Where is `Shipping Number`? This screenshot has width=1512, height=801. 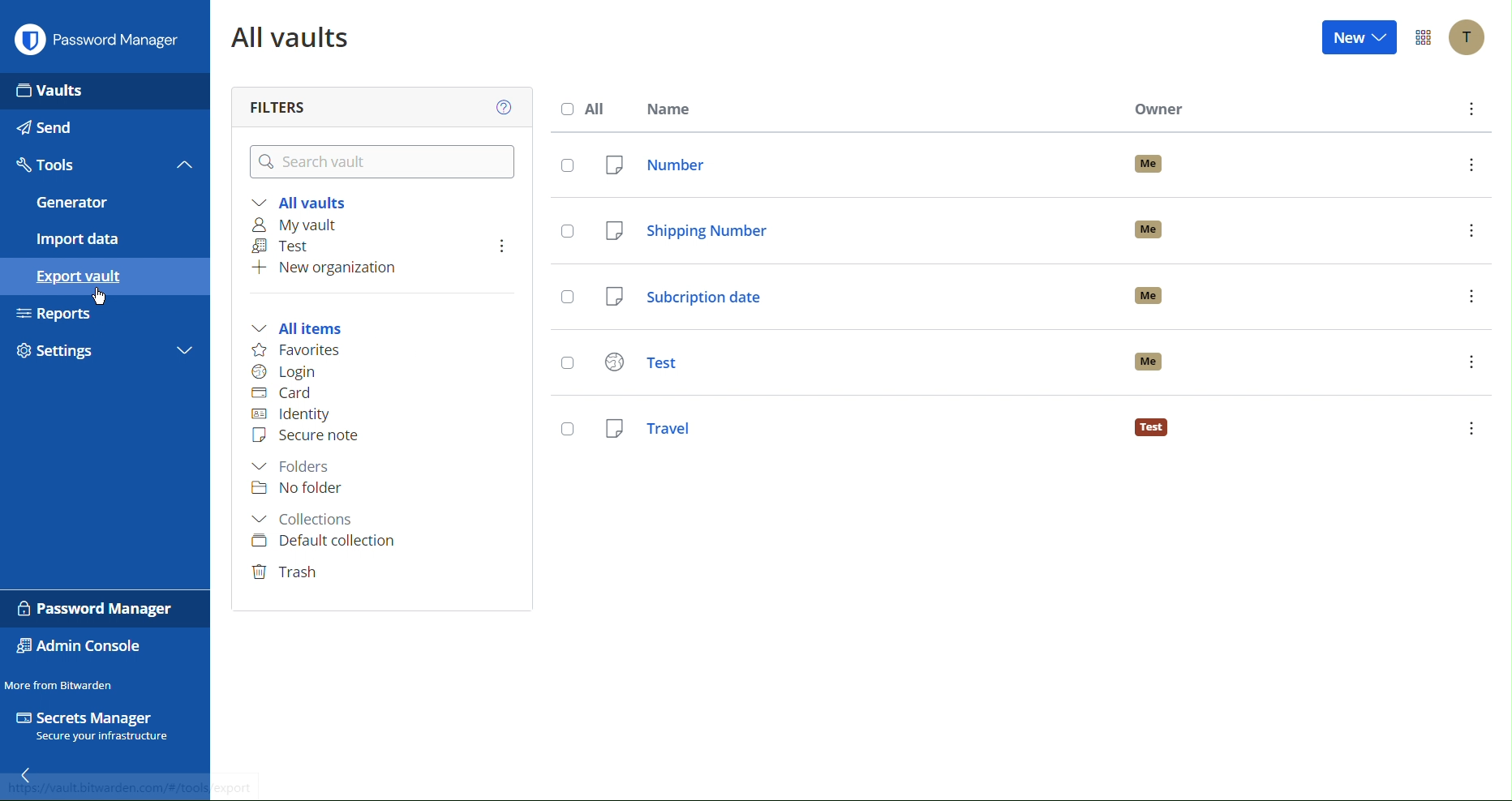
Shipping Number is located at coordinates (884, 227).